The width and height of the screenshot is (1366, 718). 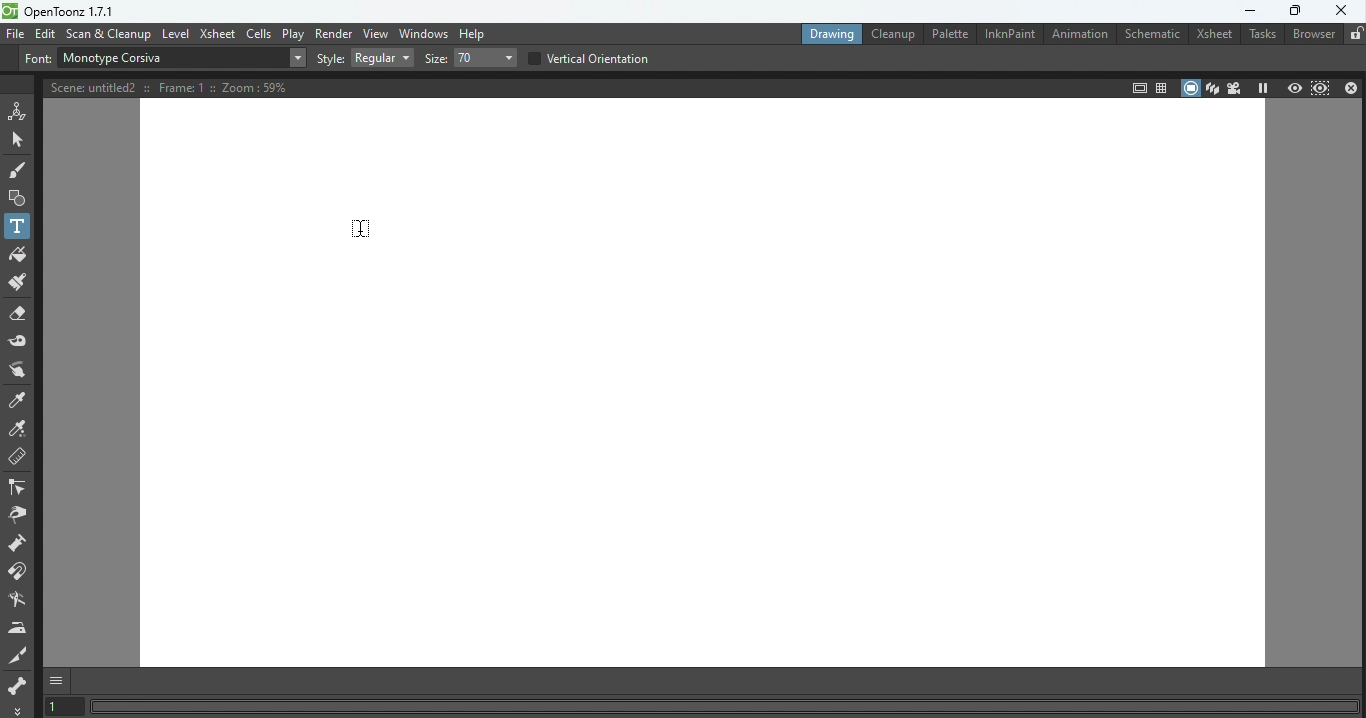 I want to click on skeleton tool, so click(x=19, y=681).